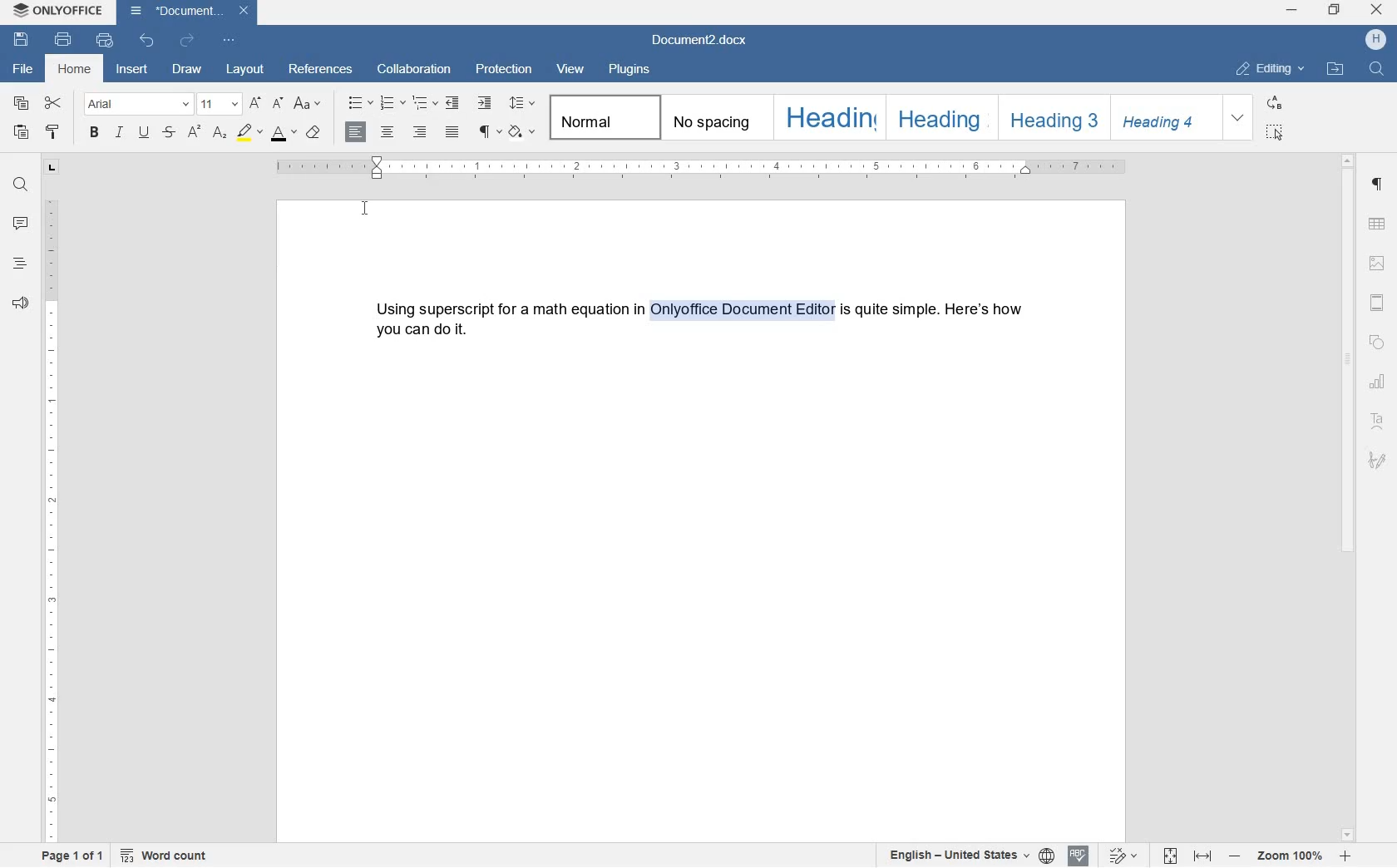 This screenshot has height=868, width=1397. Describe the element at coordinates (453, 104) in the screenshot. I see `decrease indent` at that location.